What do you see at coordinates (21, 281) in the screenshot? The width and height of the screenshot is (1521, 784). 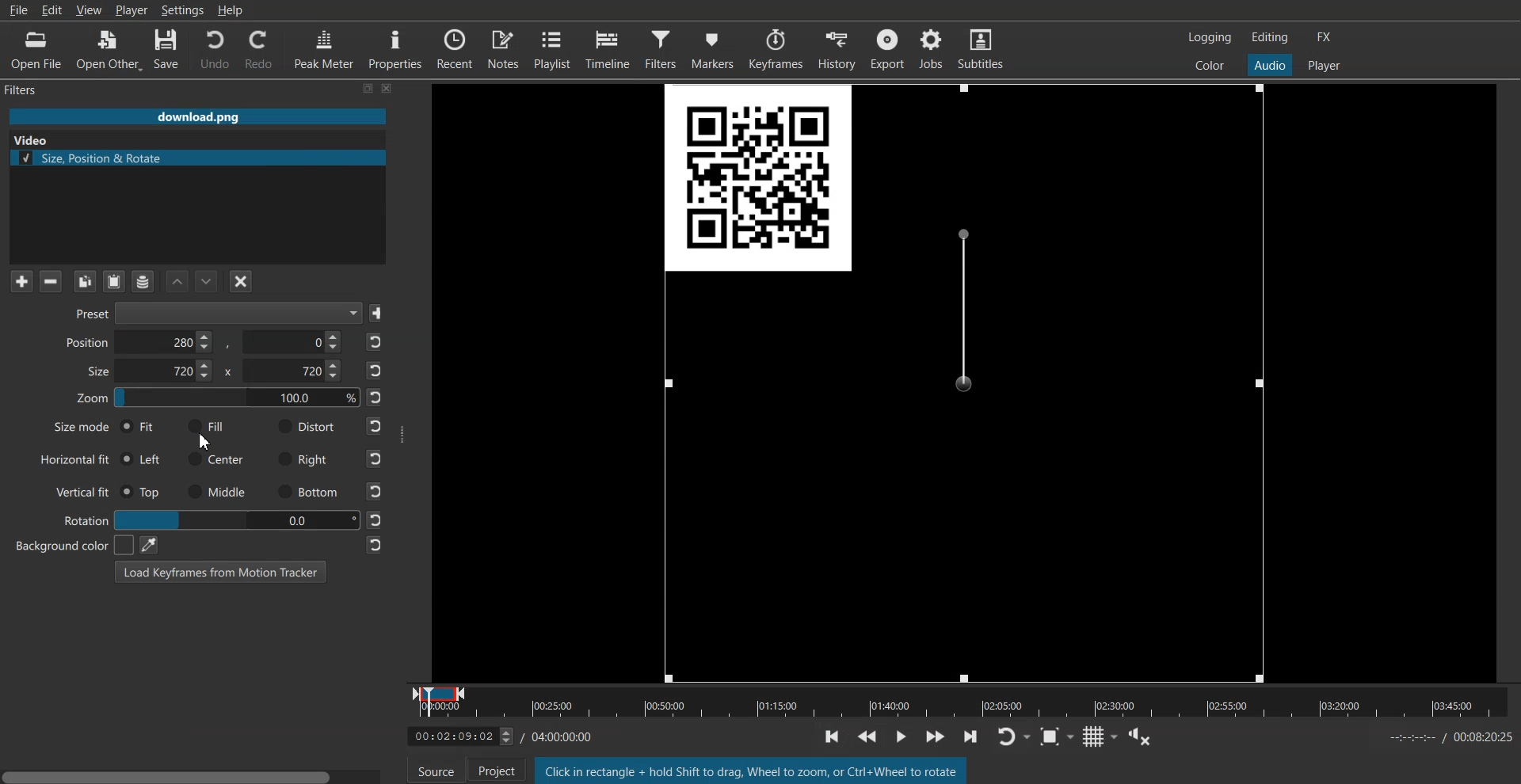 I see `Add Filter` at bounding box center [21, 281].